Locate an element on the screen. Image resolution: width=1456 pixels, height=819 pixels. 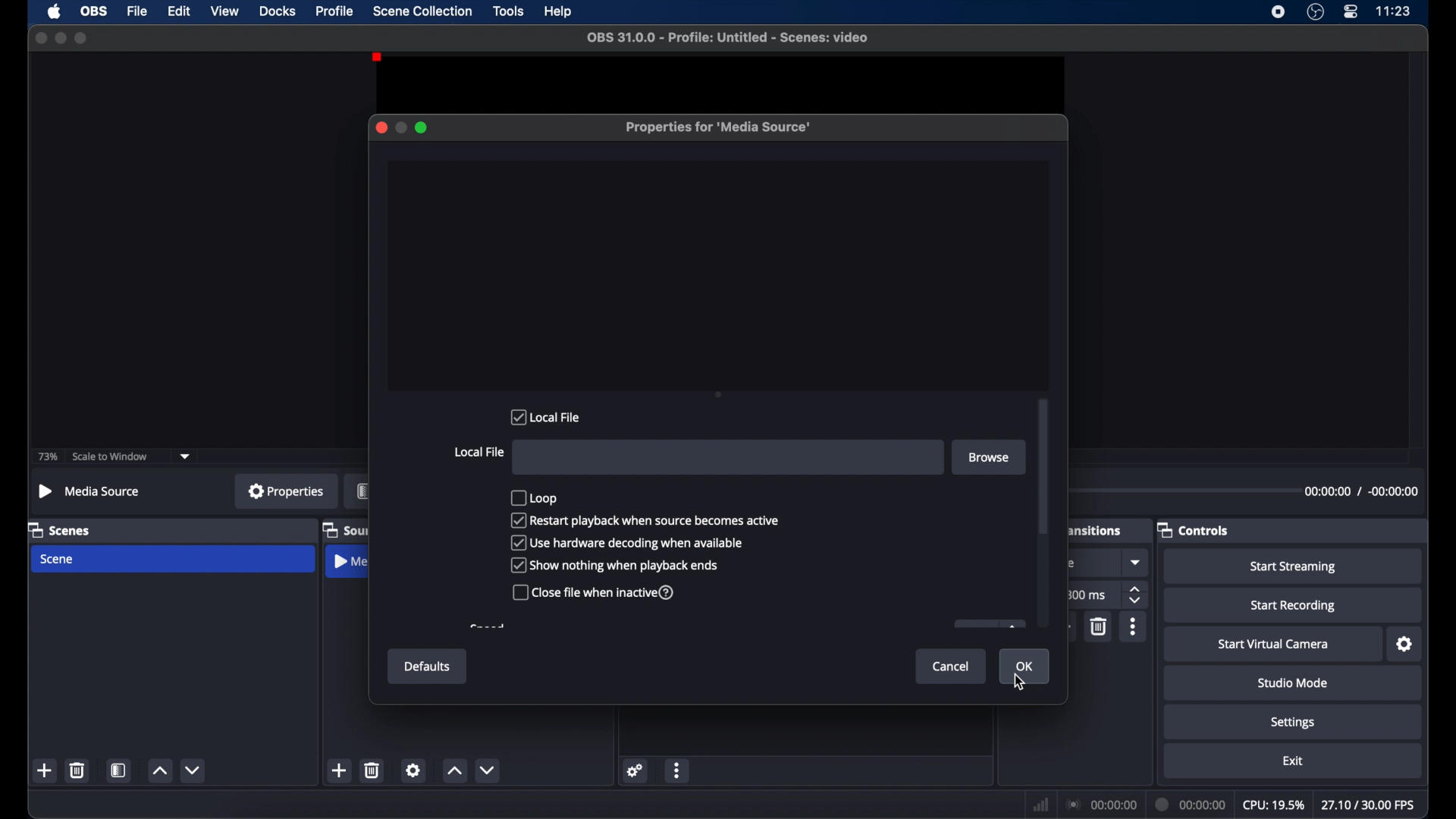
control center is located at coordinates (1350, 11).